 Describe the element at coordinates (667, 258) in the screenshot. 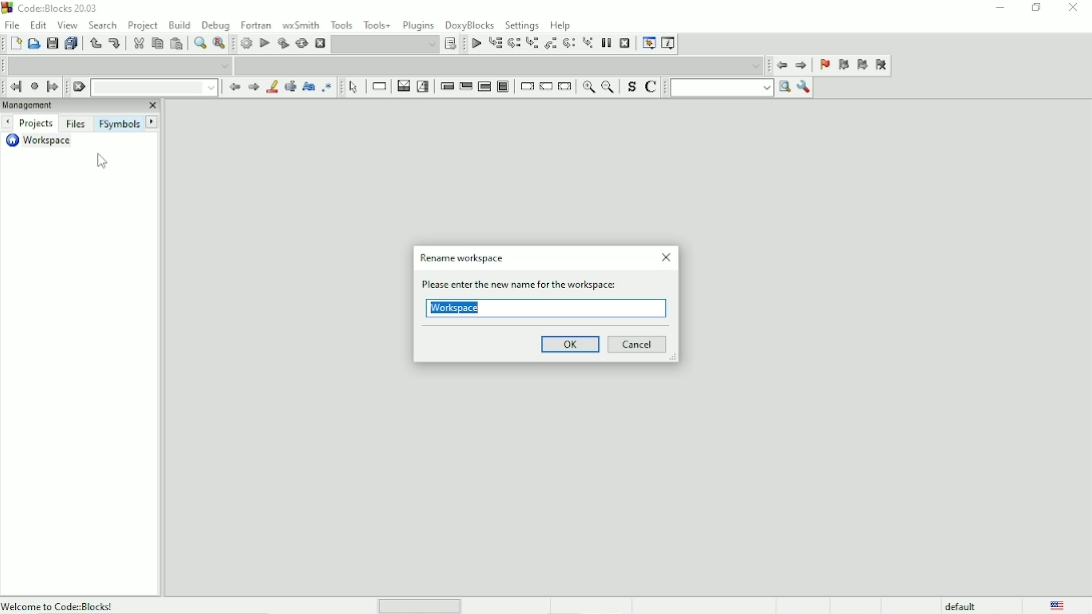

I see `Close` at that location.